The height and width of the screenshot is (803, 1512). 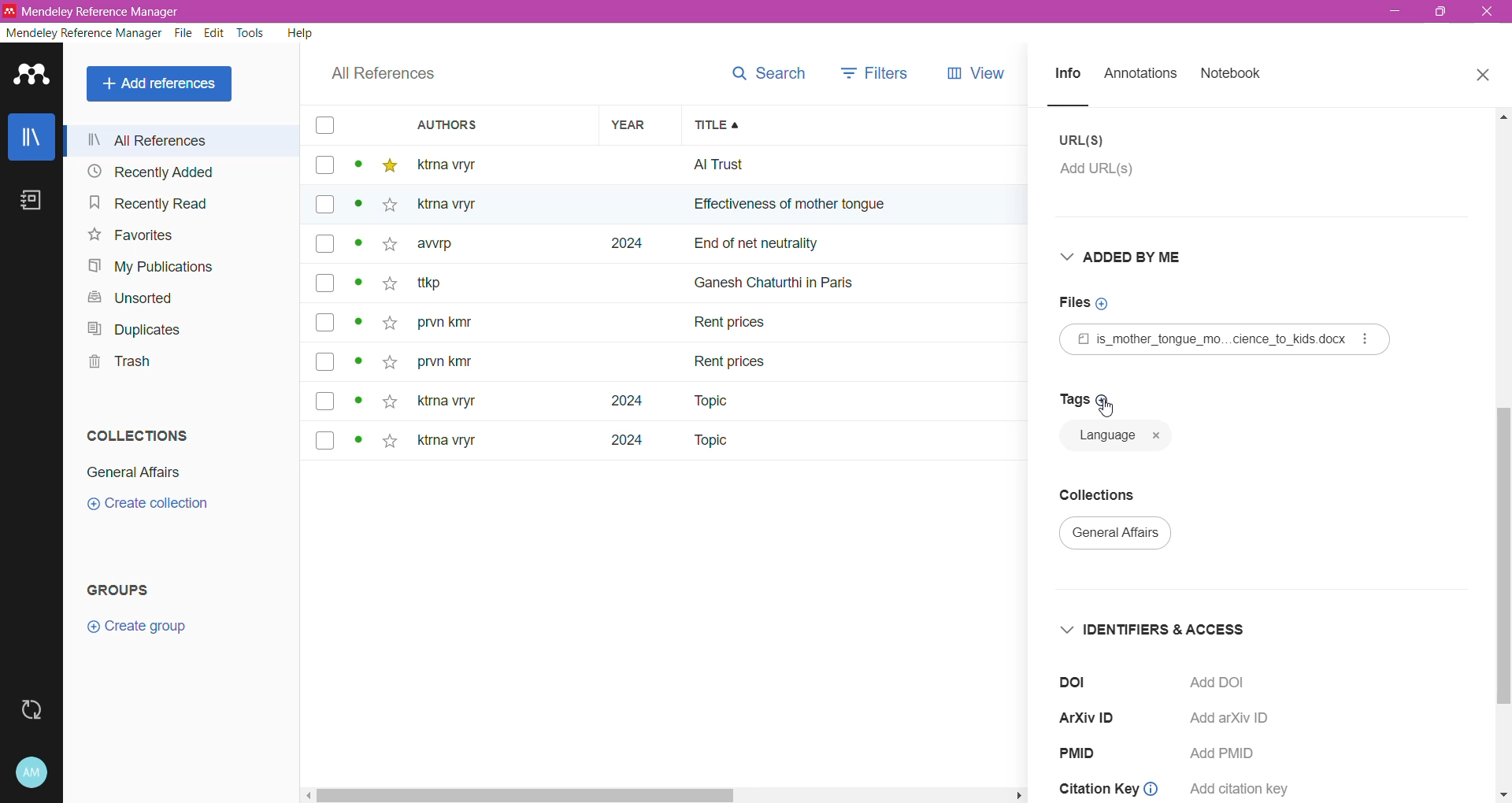 What do you see at coordinates (132, 235) in the screenshot?
I see `Favorites` at bounding box center [132, 235].